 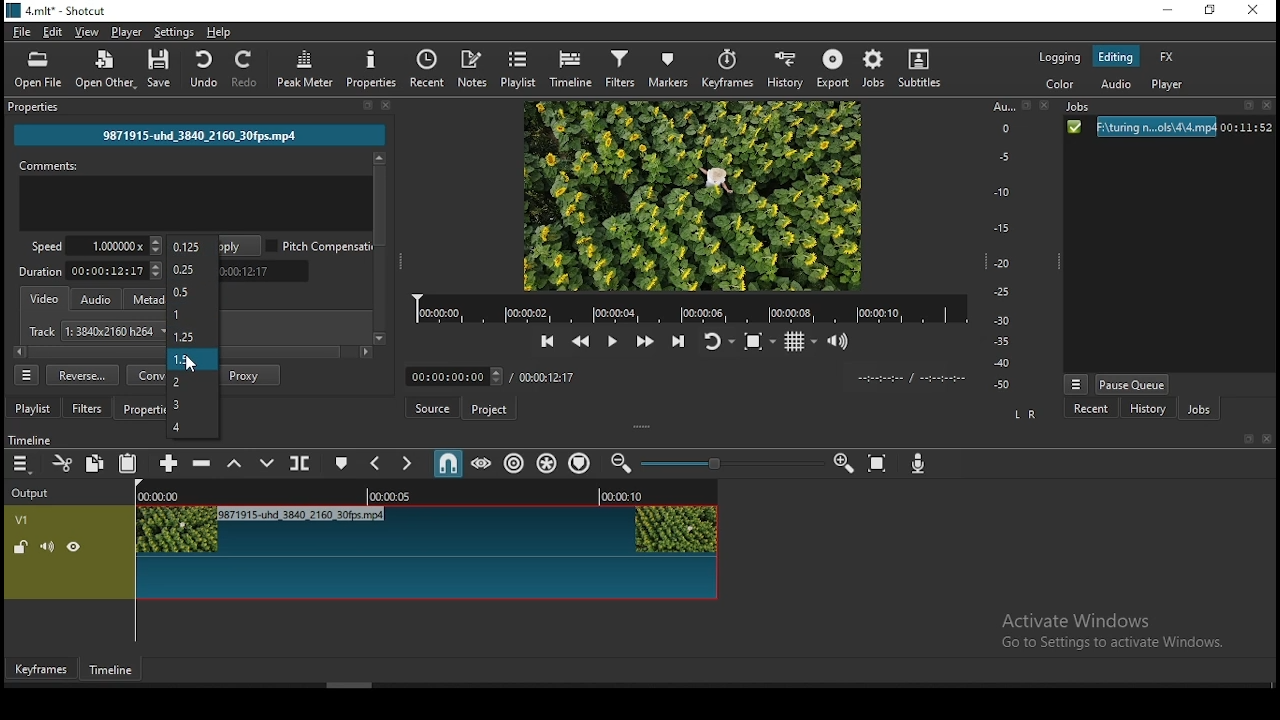 I want to click on color, so click(x=1062, y=85).